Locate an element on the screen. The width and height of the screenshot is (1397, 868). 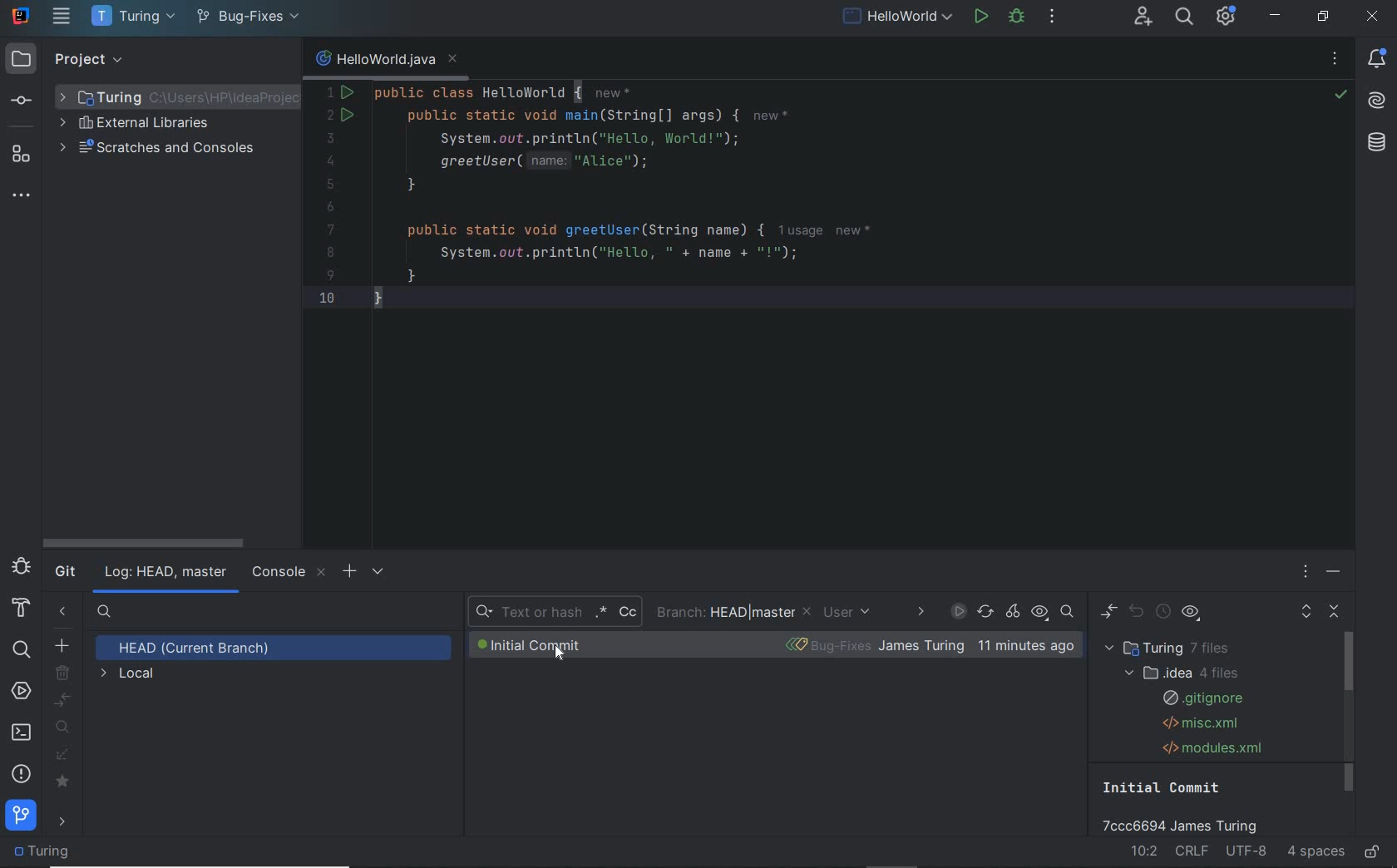
cursor is located at coordinates (560, 653).